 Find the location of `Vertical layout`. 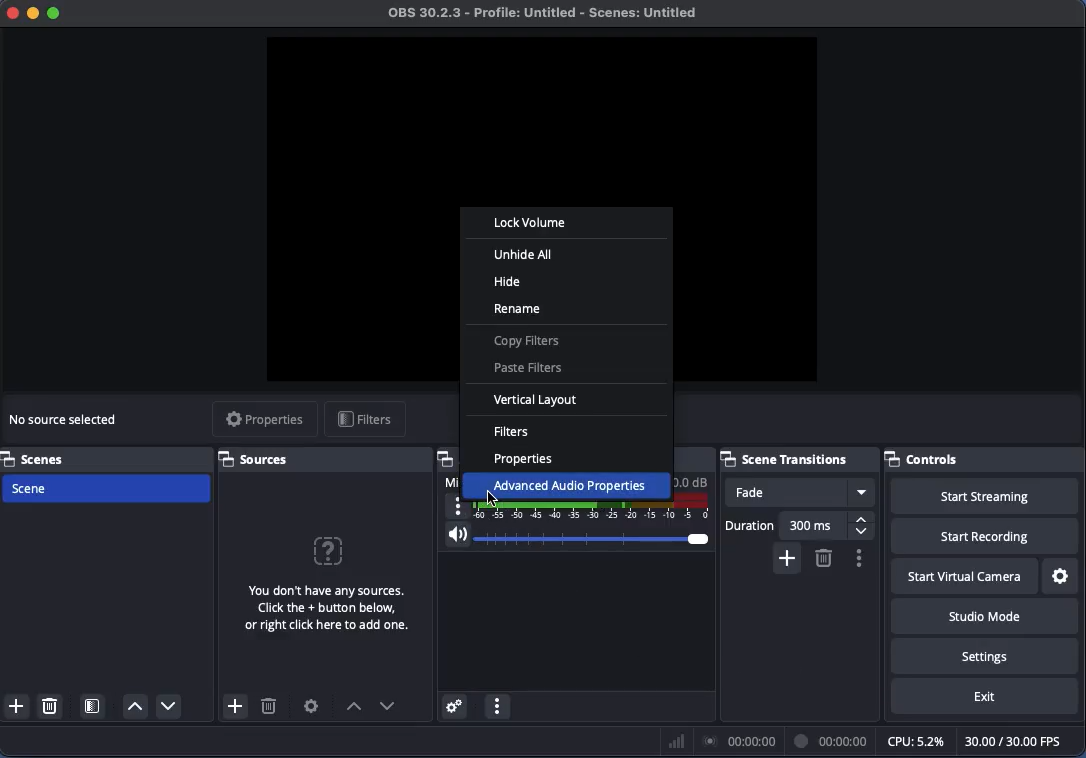

Vertical layout is located at coordinates (542, 403).